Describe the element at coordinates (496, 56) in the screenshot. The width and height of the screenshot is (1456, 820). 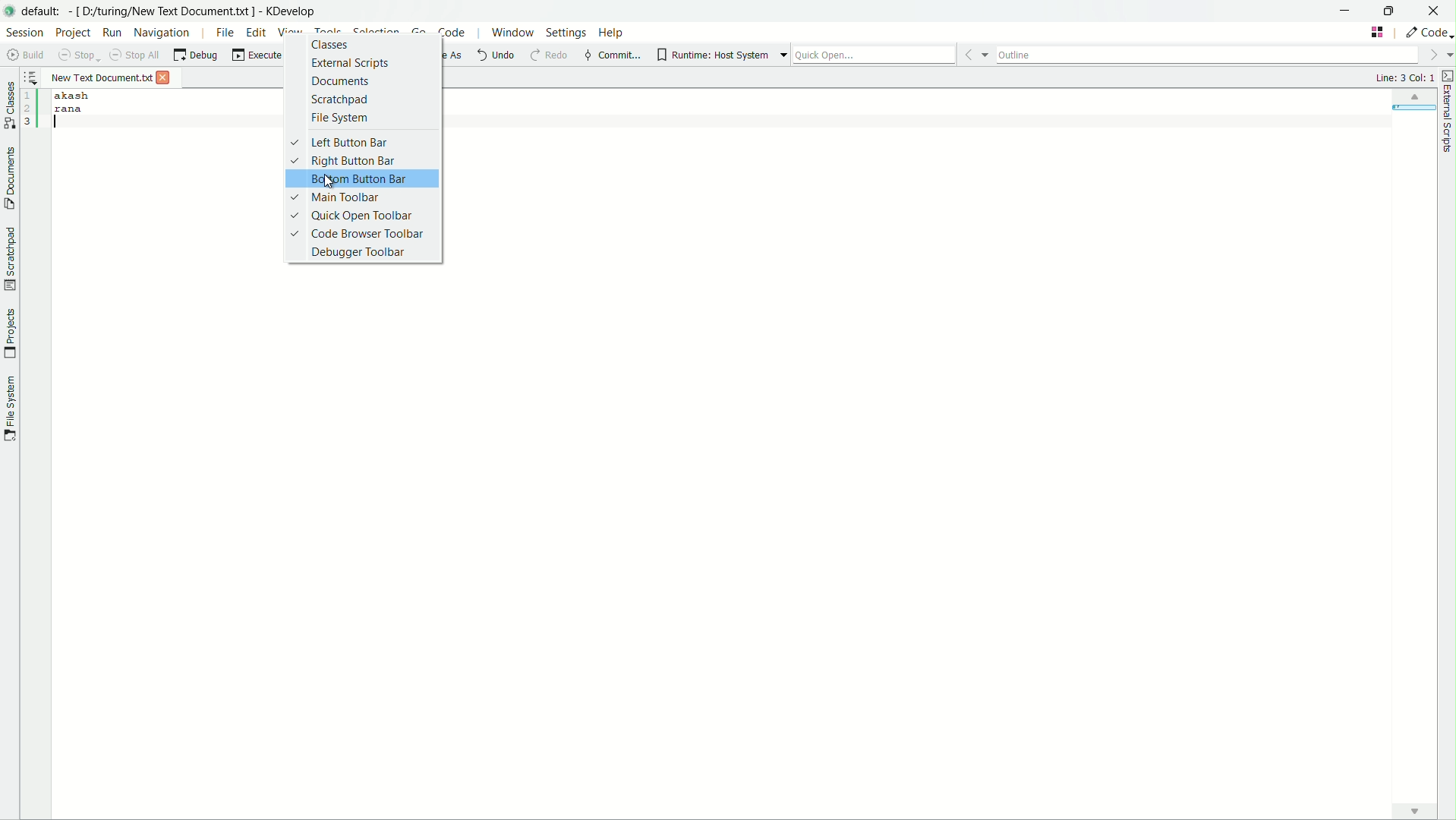
I see `undo` at that location.